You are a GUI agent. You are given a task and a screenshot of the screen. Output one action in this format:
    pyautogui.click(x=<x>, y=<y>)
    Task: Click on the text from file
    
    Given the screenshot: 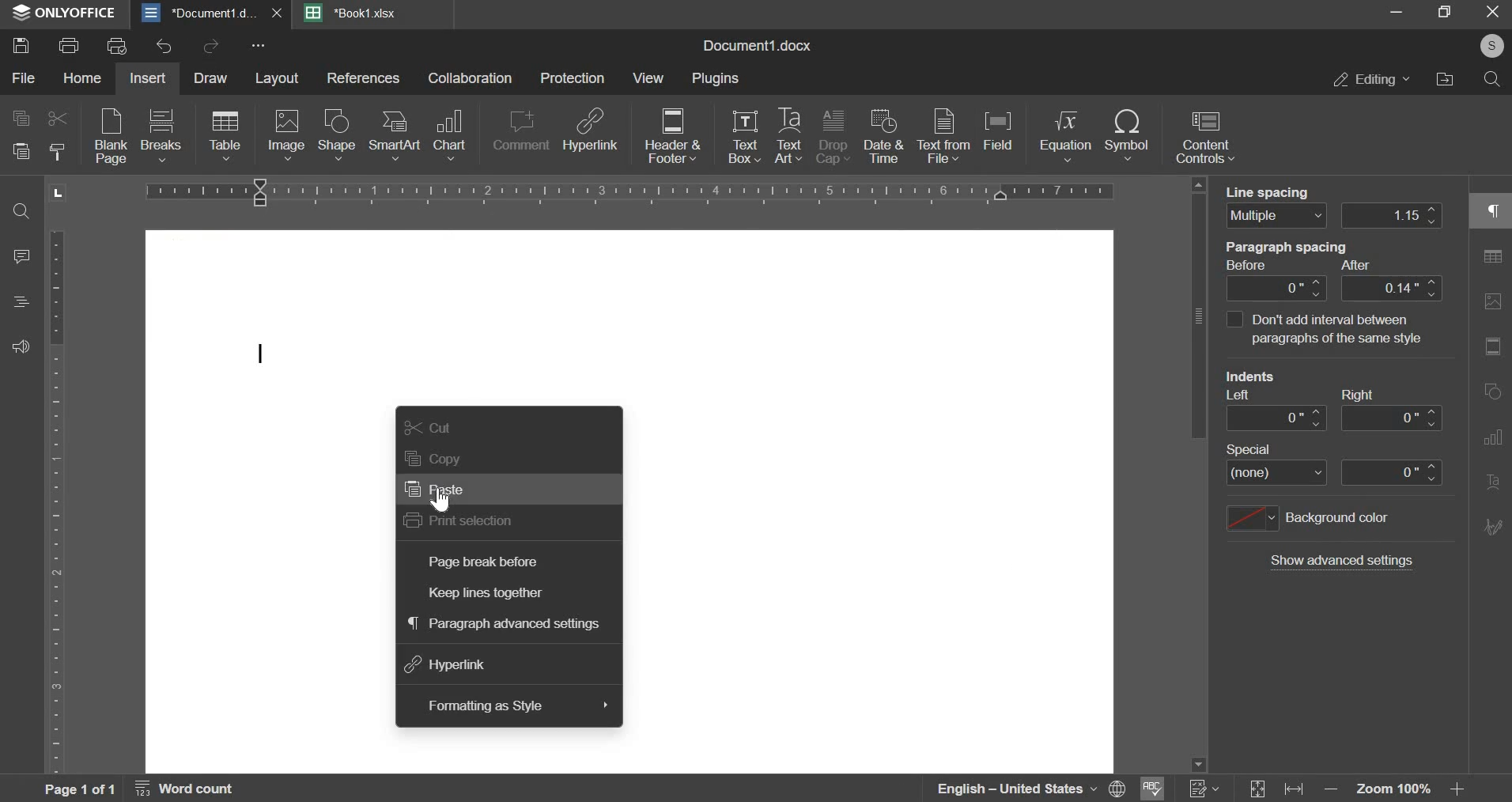 What is the action you would take?
    pyautogui.click(x=943, y=136)
    